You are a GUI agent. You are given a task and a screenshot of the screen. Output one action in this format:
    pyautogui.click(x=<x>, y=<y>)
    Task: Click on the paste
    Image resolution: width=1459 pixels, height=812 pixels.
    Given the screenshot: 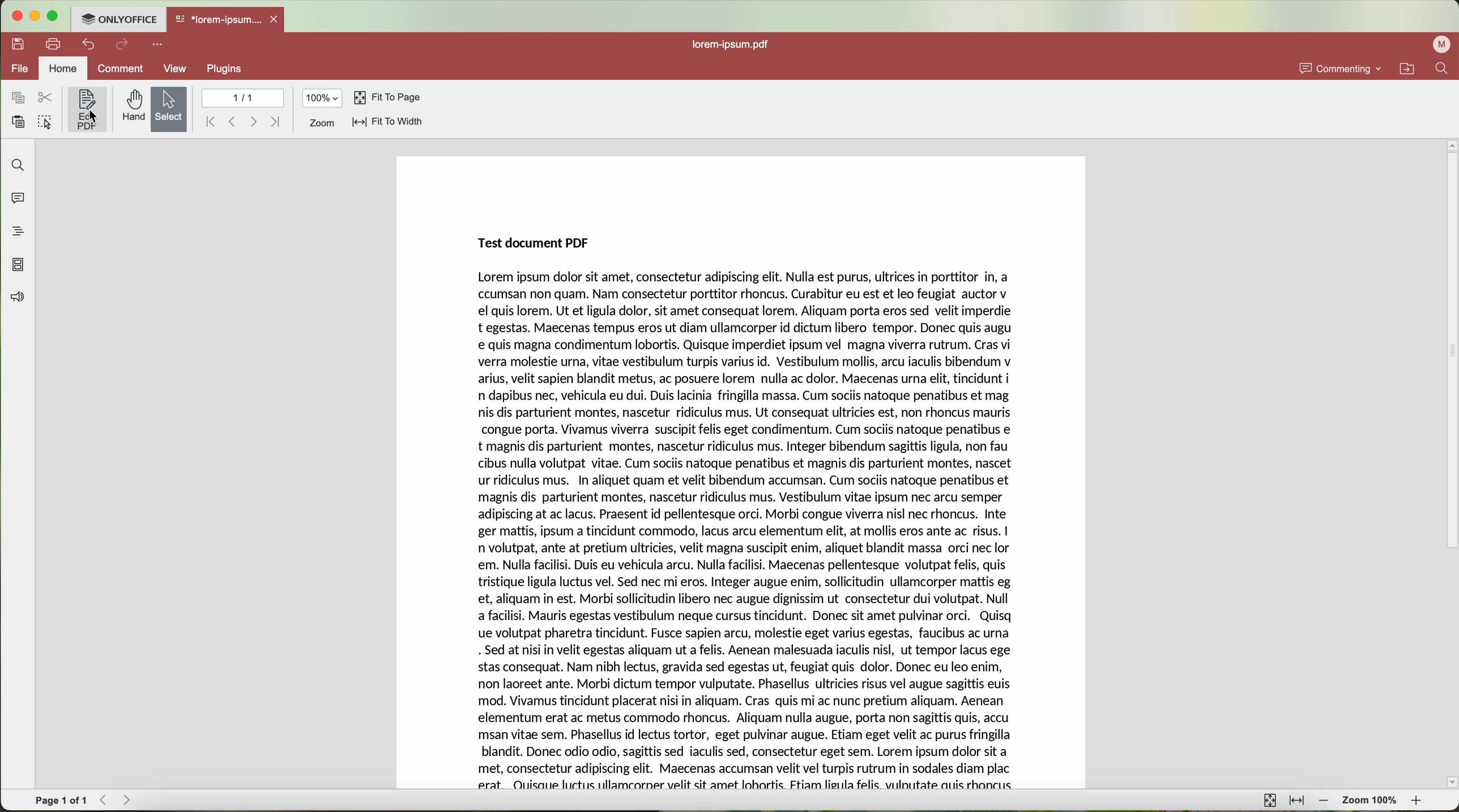 What is the action you would take?
    pyautogui.click(x=18, y=122)
    